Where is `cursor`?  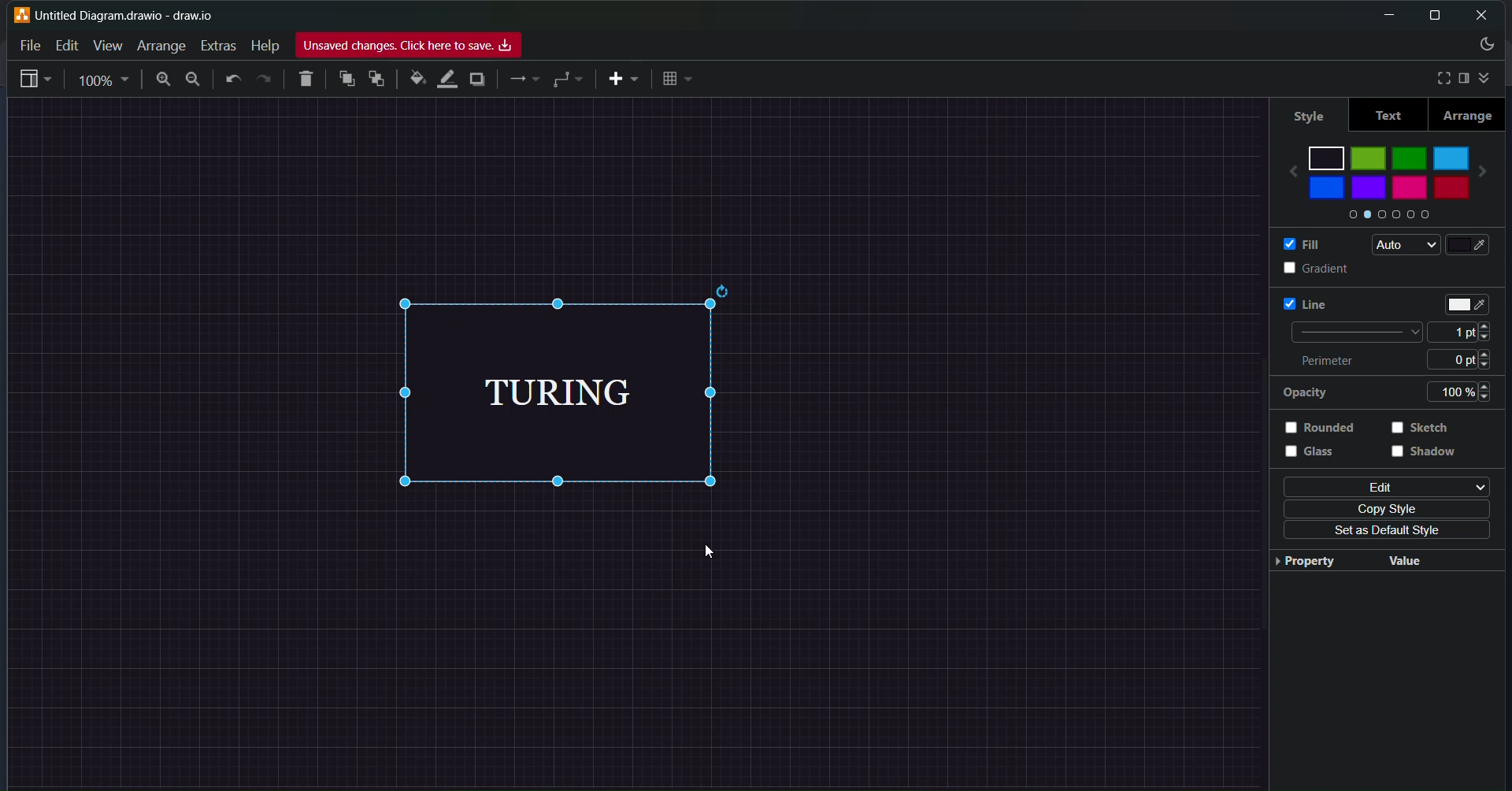
cursor is located at coordinates (710, 552).